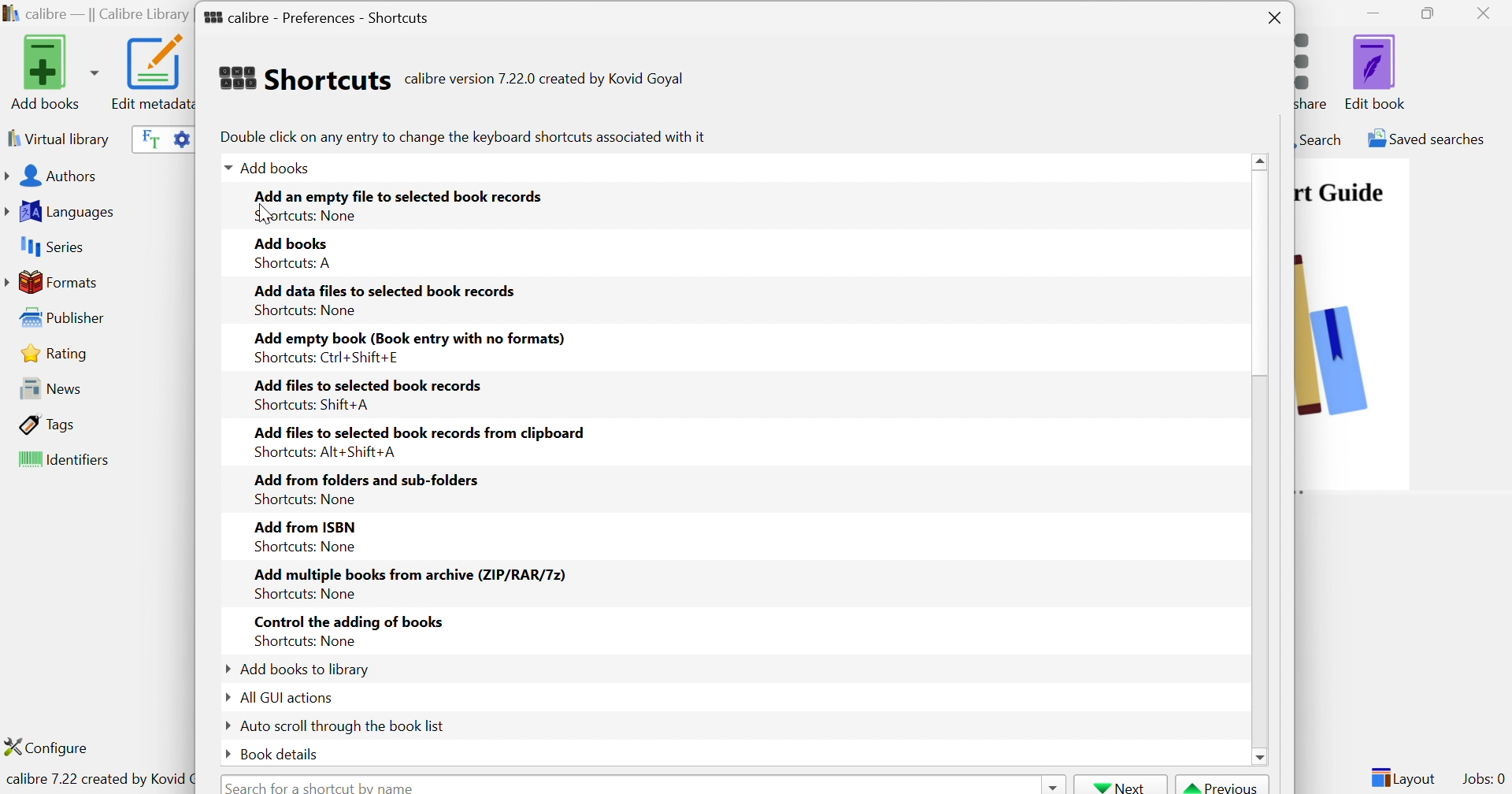  Describe the element at coordinates (227, 725) in the screenshot. I see `Drop Down` at that location.